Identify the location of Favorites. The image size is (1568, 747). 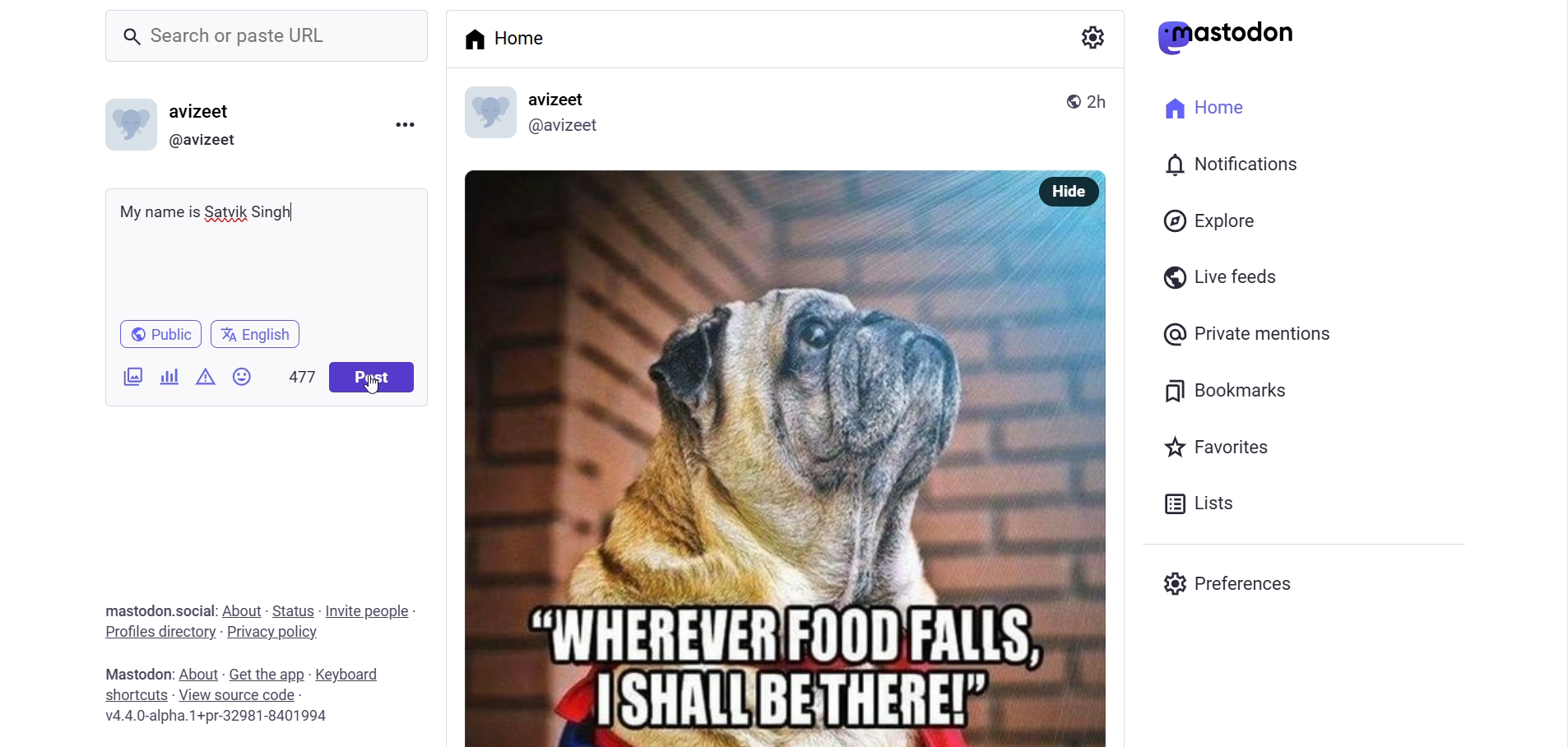
(1220, 449).